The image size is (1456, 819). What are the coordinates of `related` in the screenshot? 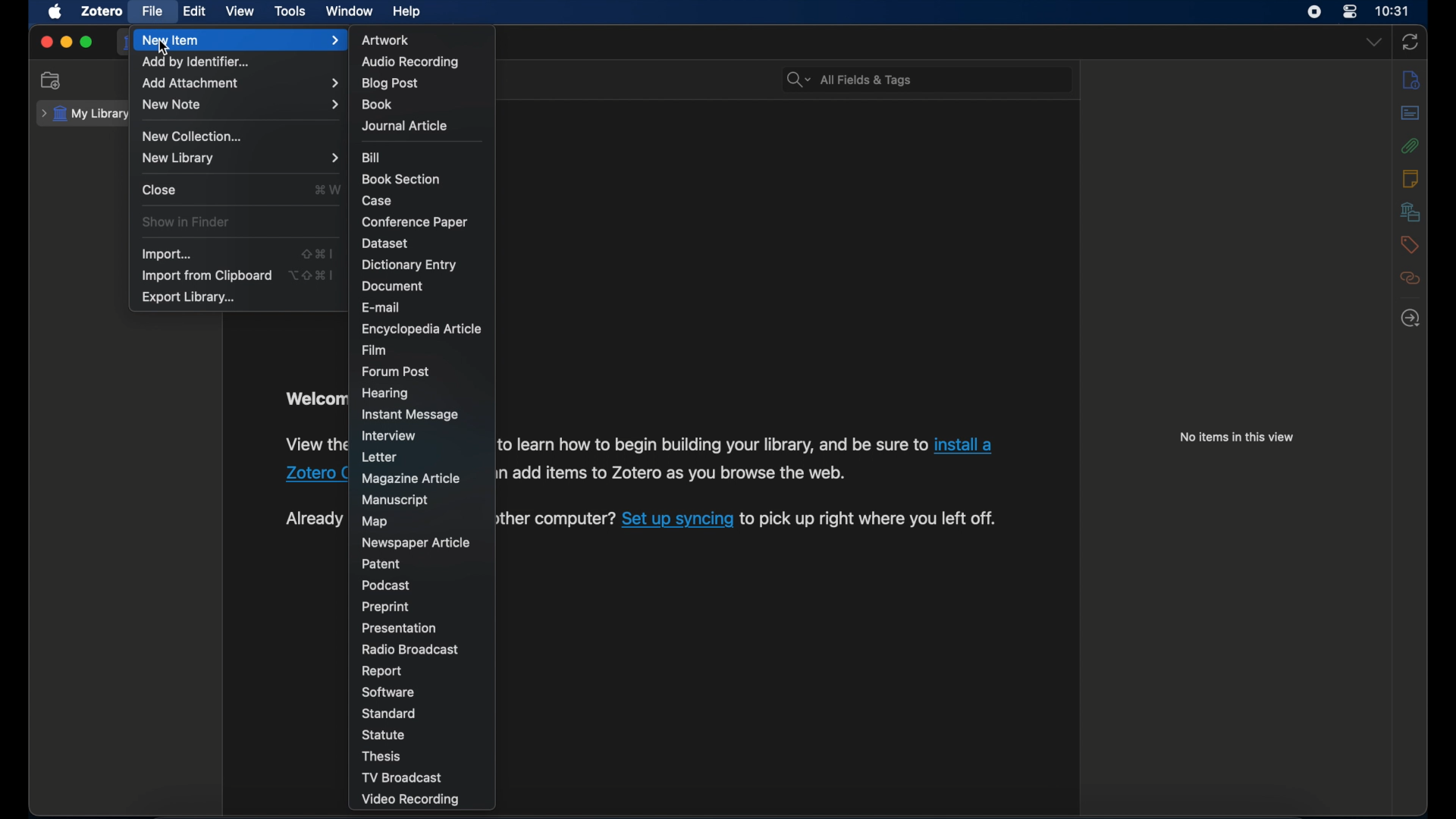 It's located at (1410, 278).